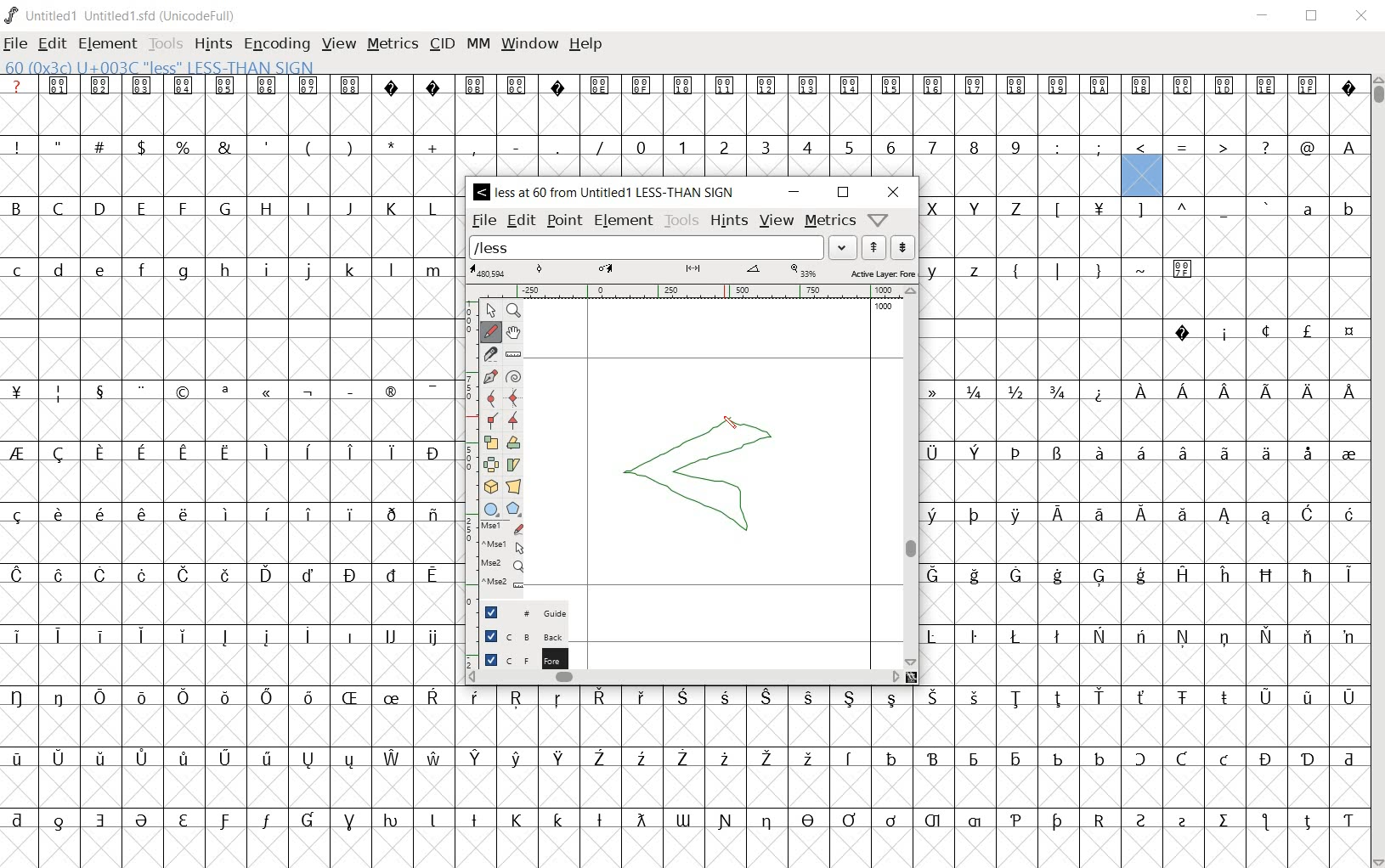 The height and width of the screenshot is (868, 1385). What do you see at coordinates (961, 268) in the screenshot?
I see `small letters y z` at bounding box center [961, 268].